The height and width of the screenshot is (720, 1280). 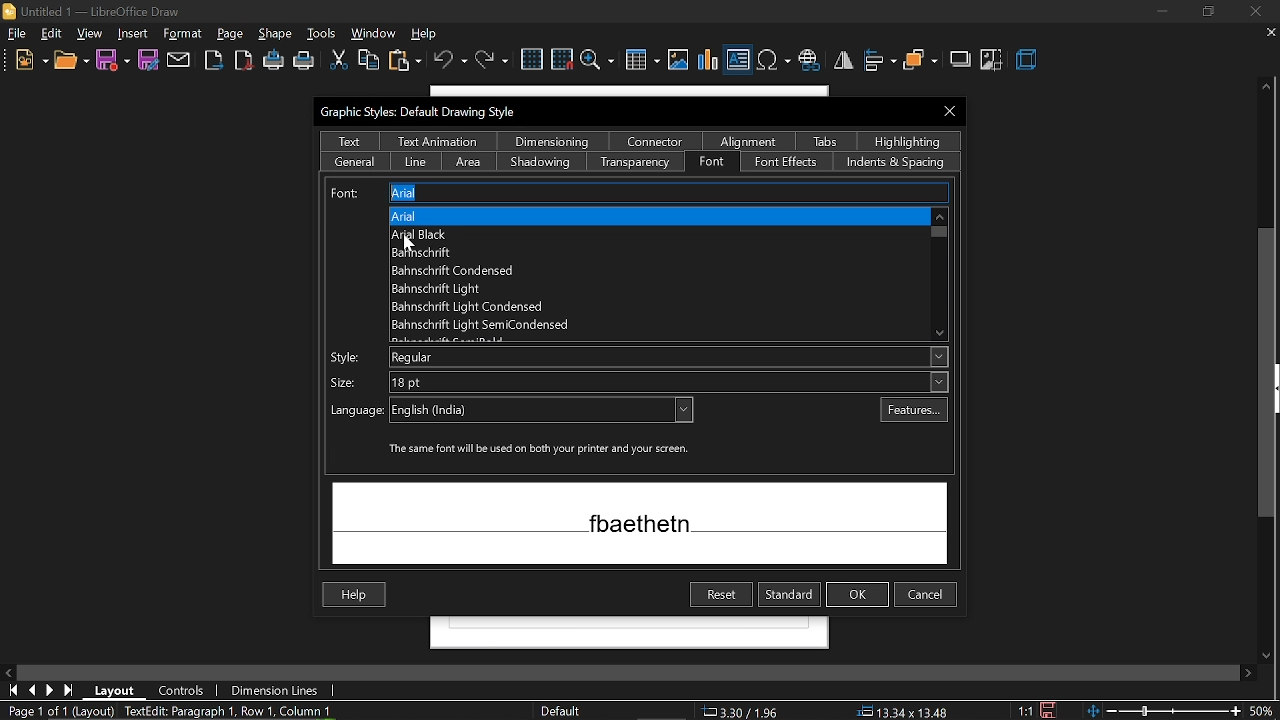 I want to click on Cursor, so click(x=410, y=242).